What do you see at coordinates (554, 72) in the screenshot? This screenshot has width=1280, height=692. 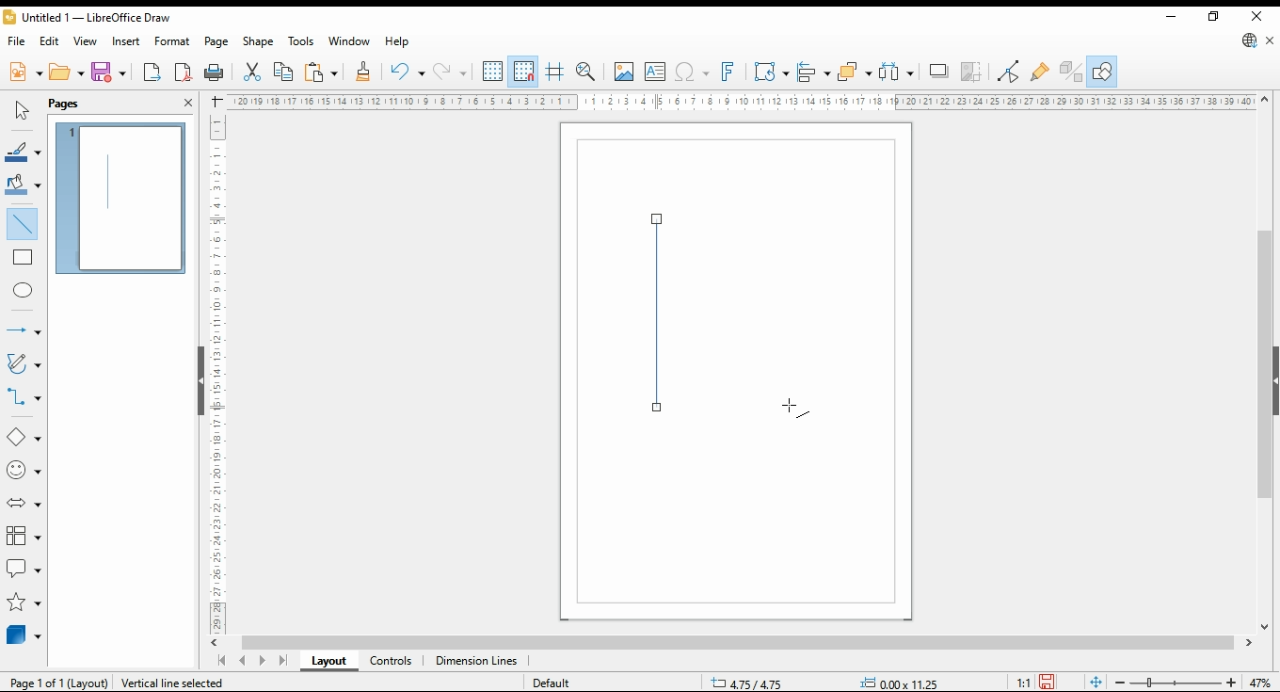 I see `helplines while moving` at bounding box center [554, 72].